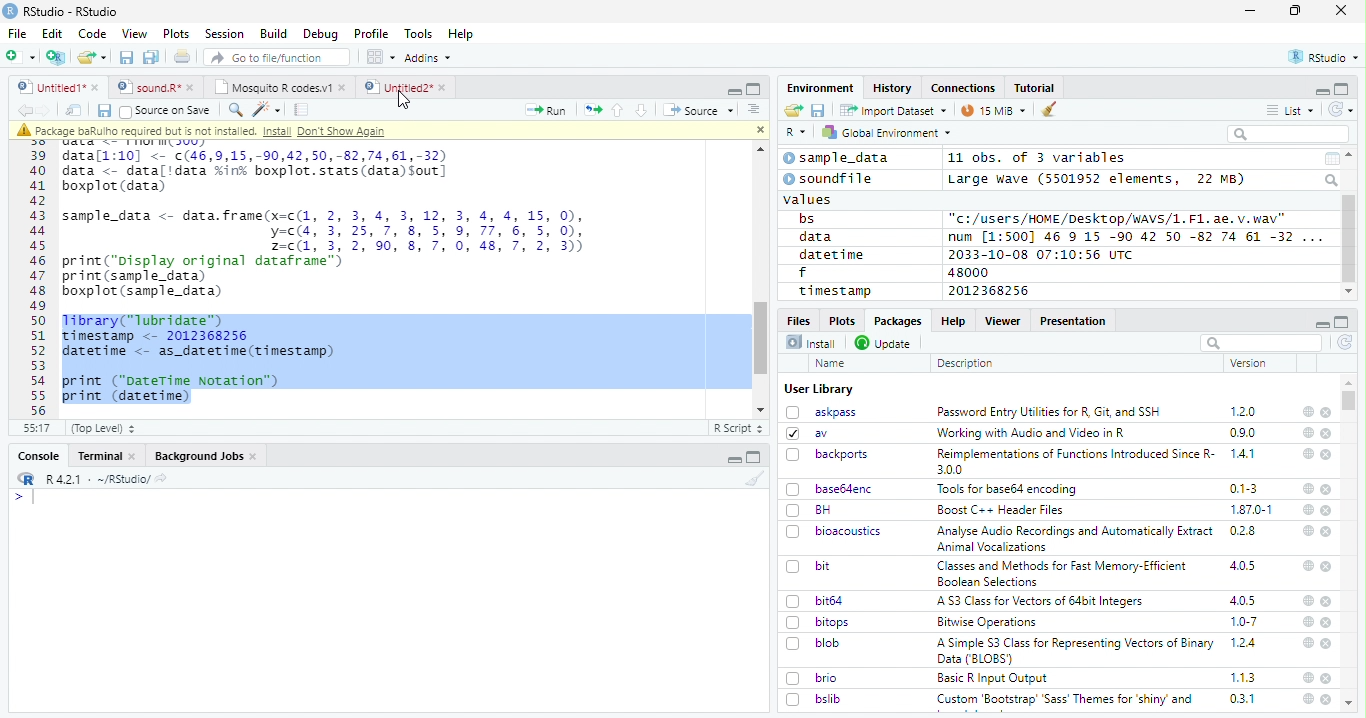 This screenshot has height=718, width=1366. I want to click on ‘Working with Audio and Video inR, so click(1033, 433).